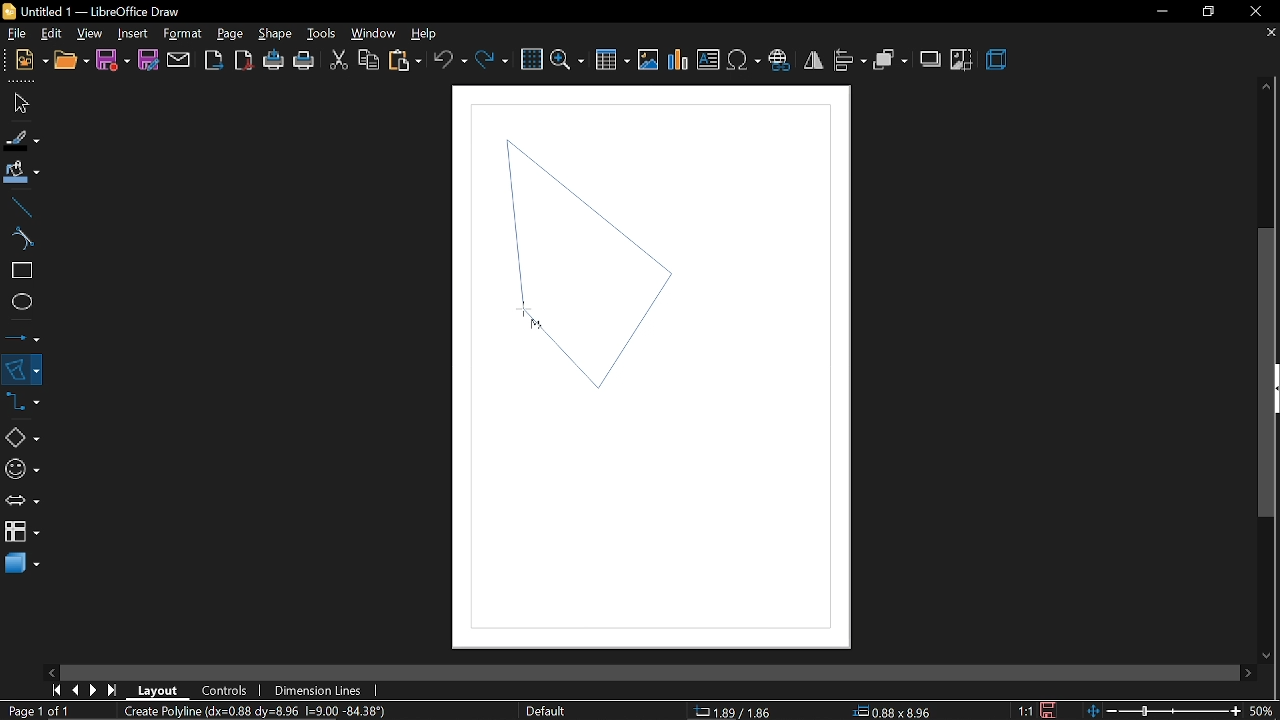 Image resolution: width=1280 pixels, height=720 pixels. Describe the element at coordinates (245, 61) in the screenshot. I see `export as pdf` at that location.